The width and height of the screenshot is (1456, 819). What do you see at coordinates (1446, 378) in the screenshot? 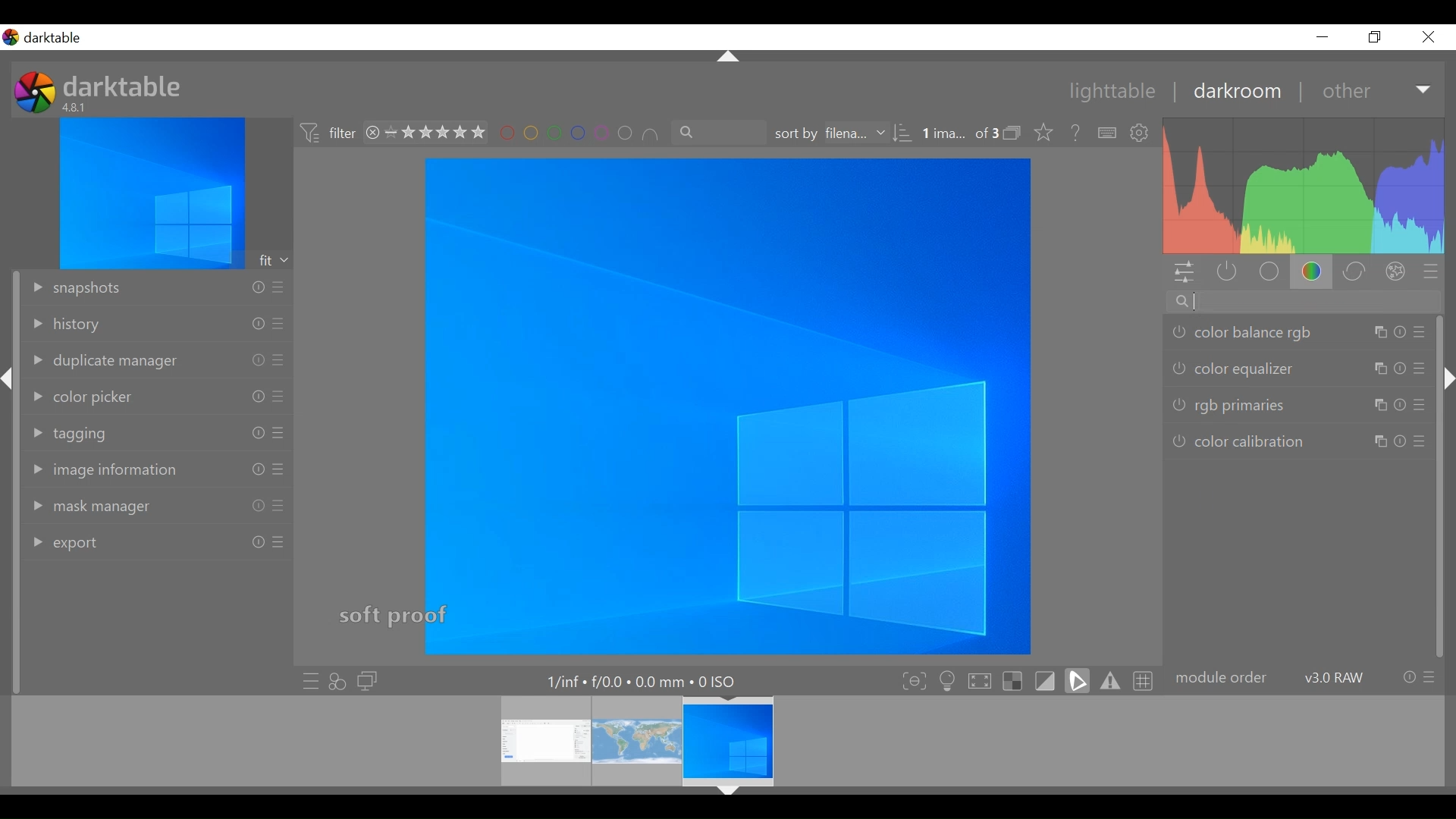
I see `Collapse ` at bounding box center [1446, 378].